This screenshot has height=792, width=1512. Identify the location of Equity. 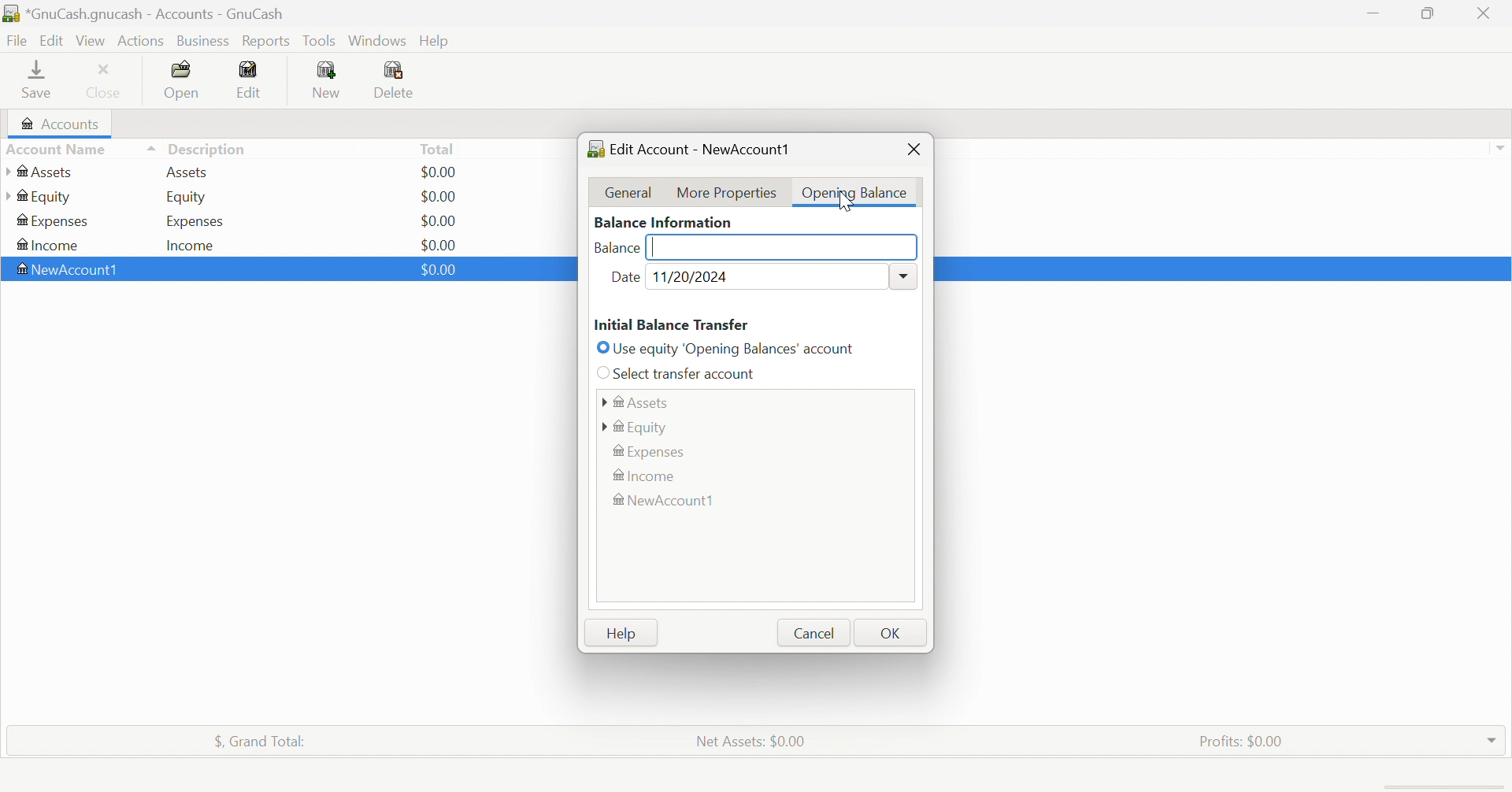
(638, 427).